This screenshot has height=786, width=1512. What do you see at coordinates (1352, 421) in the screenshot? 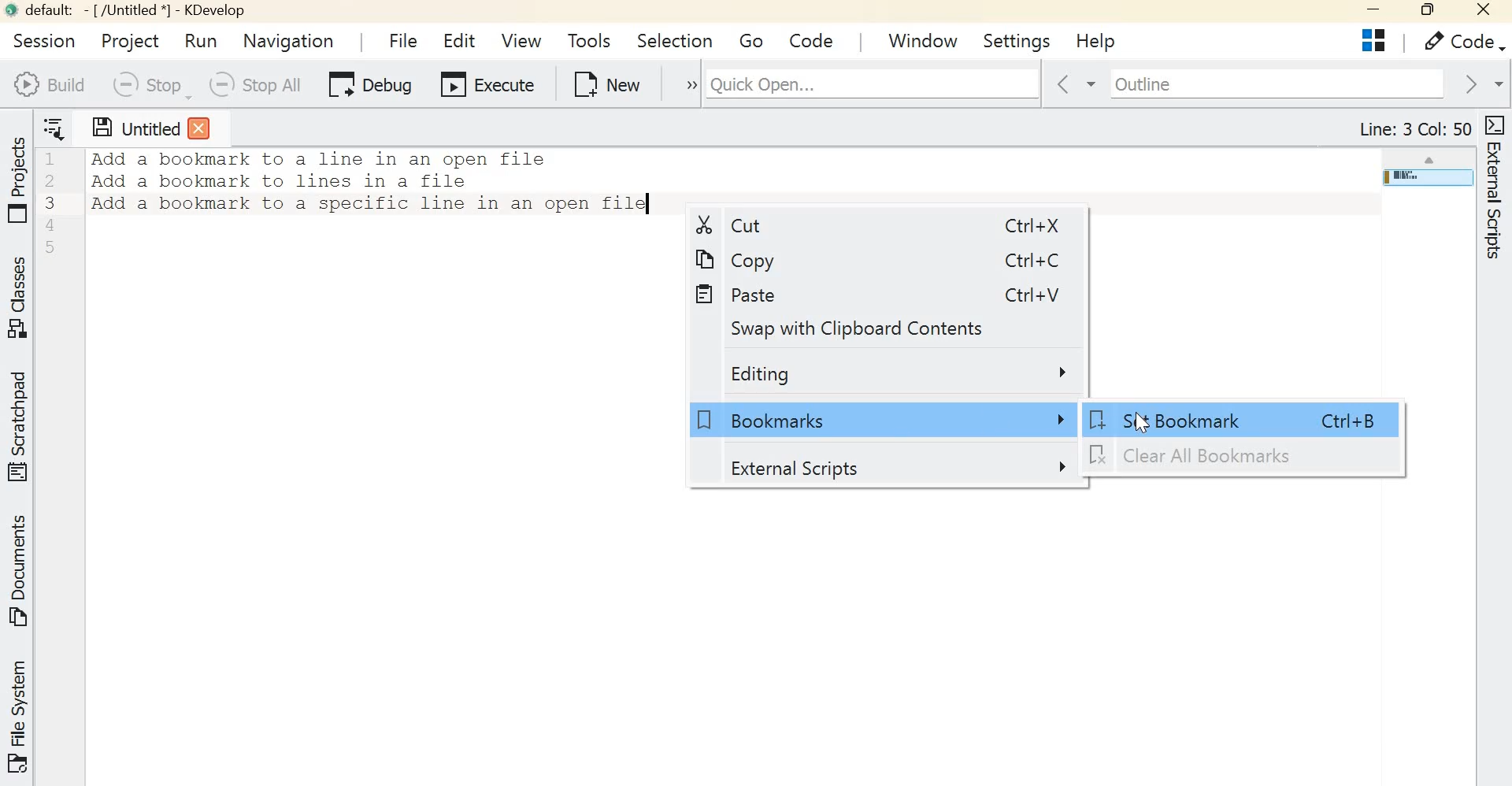
I see `Ctrl+B` at bounding box center [1352, 421].